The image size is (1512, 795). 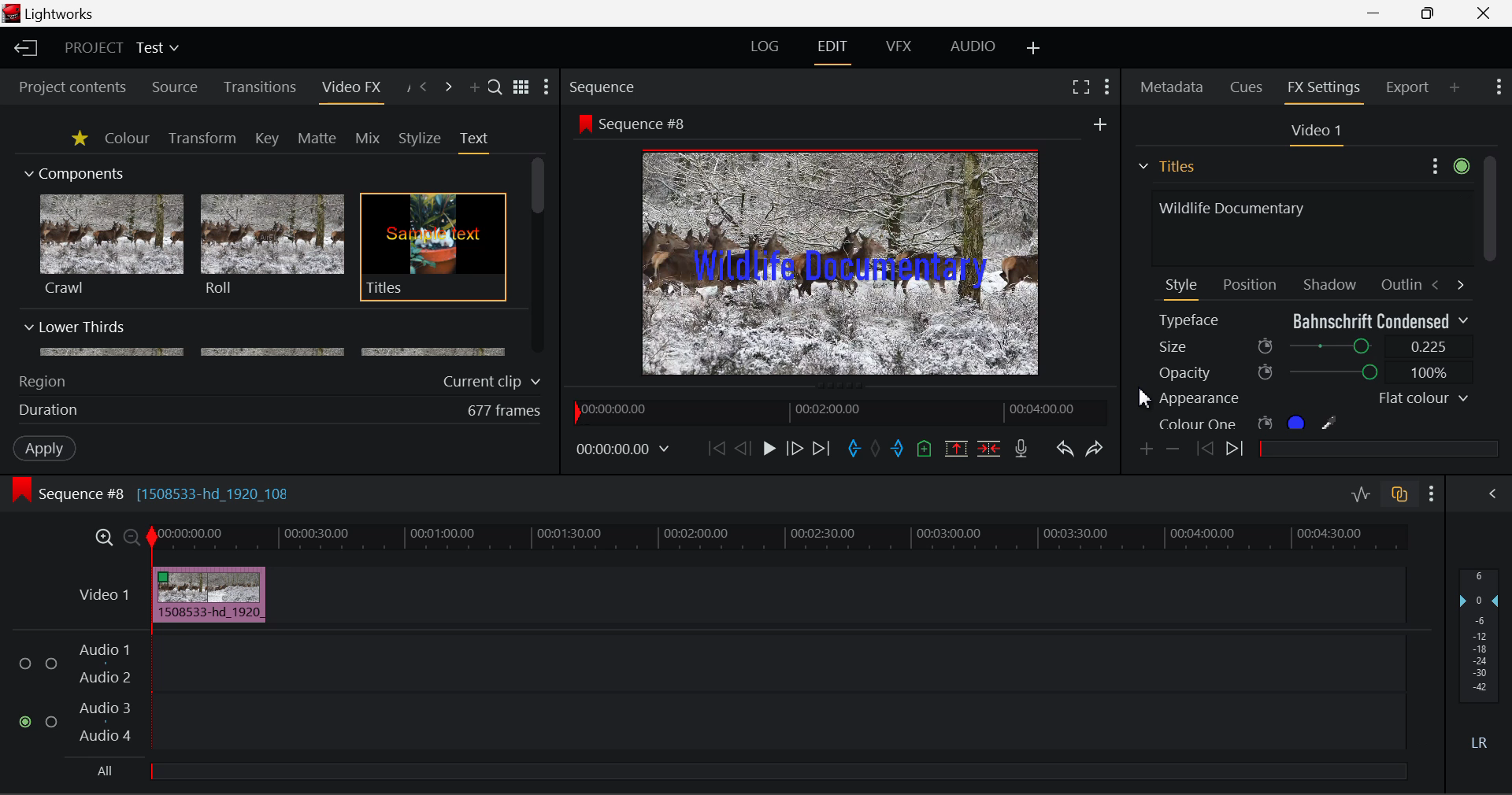 I want to click on Move between Tabs, so click(x=1447, y=283).